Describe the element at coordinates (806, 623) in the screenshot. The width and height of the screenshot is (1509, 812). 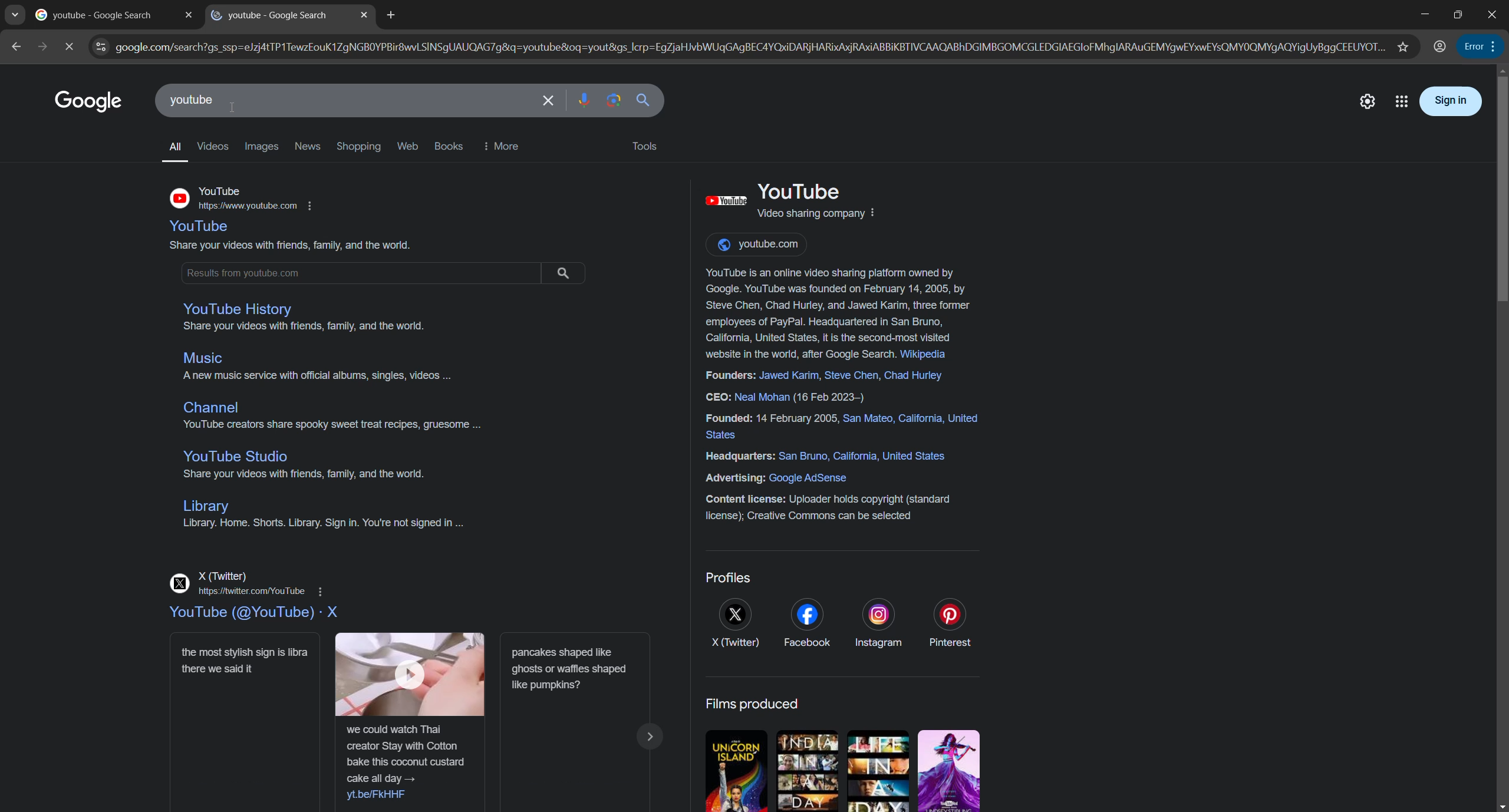
I see `facebook` at that location.